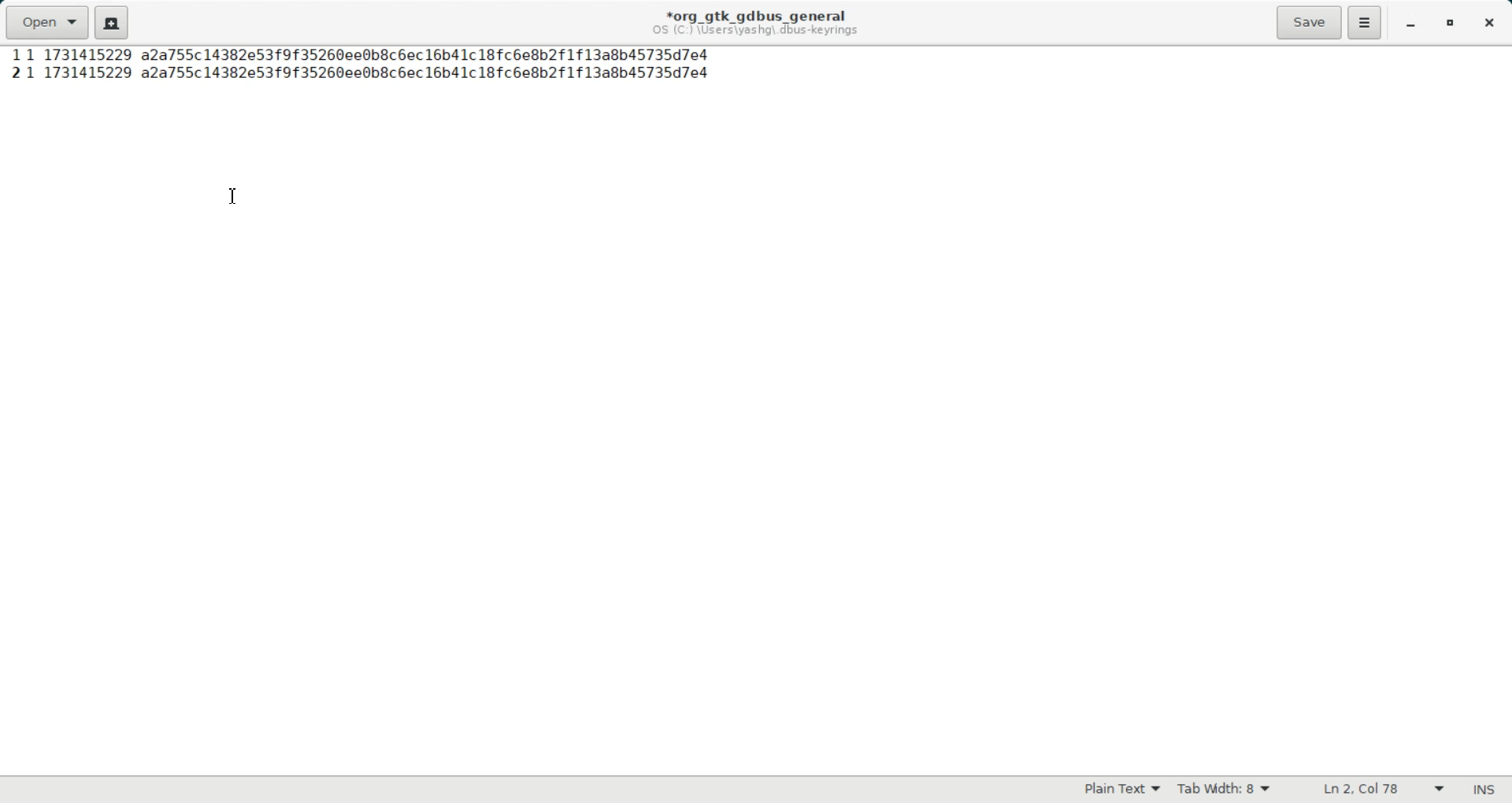 The image size is (1512, 803). Describe the element at coordinates (1122, 790) in the screenshot. I see `Plain Text` at that location.